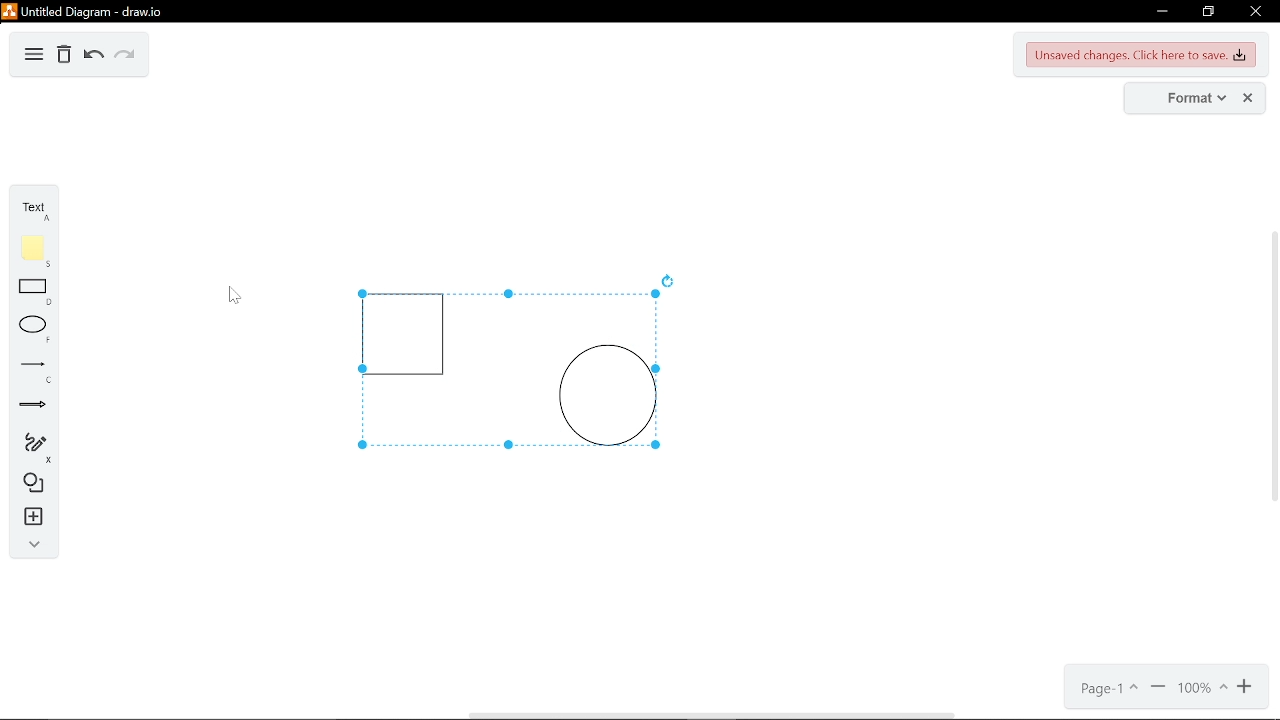 This screenshot has width=1280, height=720. Describe the element at coordinates (714, 715) in the screenshot. I see `horizontal scrollbar` at that location.